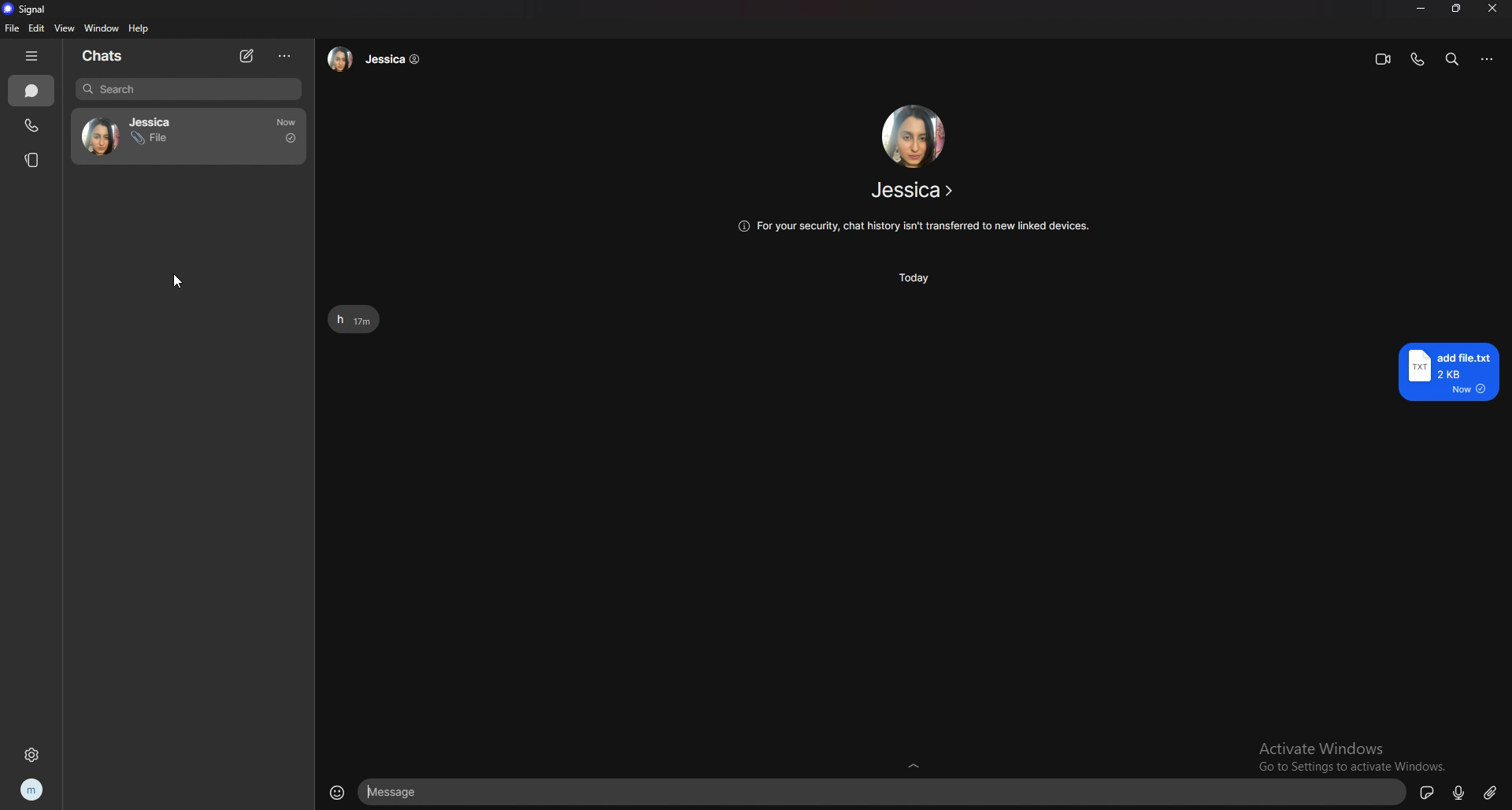 This screenshot has width=1512, height=810. What do you see at coordinates (914, 190) in the screenshot?
I see `friend name` at bounding box center [914, 190].